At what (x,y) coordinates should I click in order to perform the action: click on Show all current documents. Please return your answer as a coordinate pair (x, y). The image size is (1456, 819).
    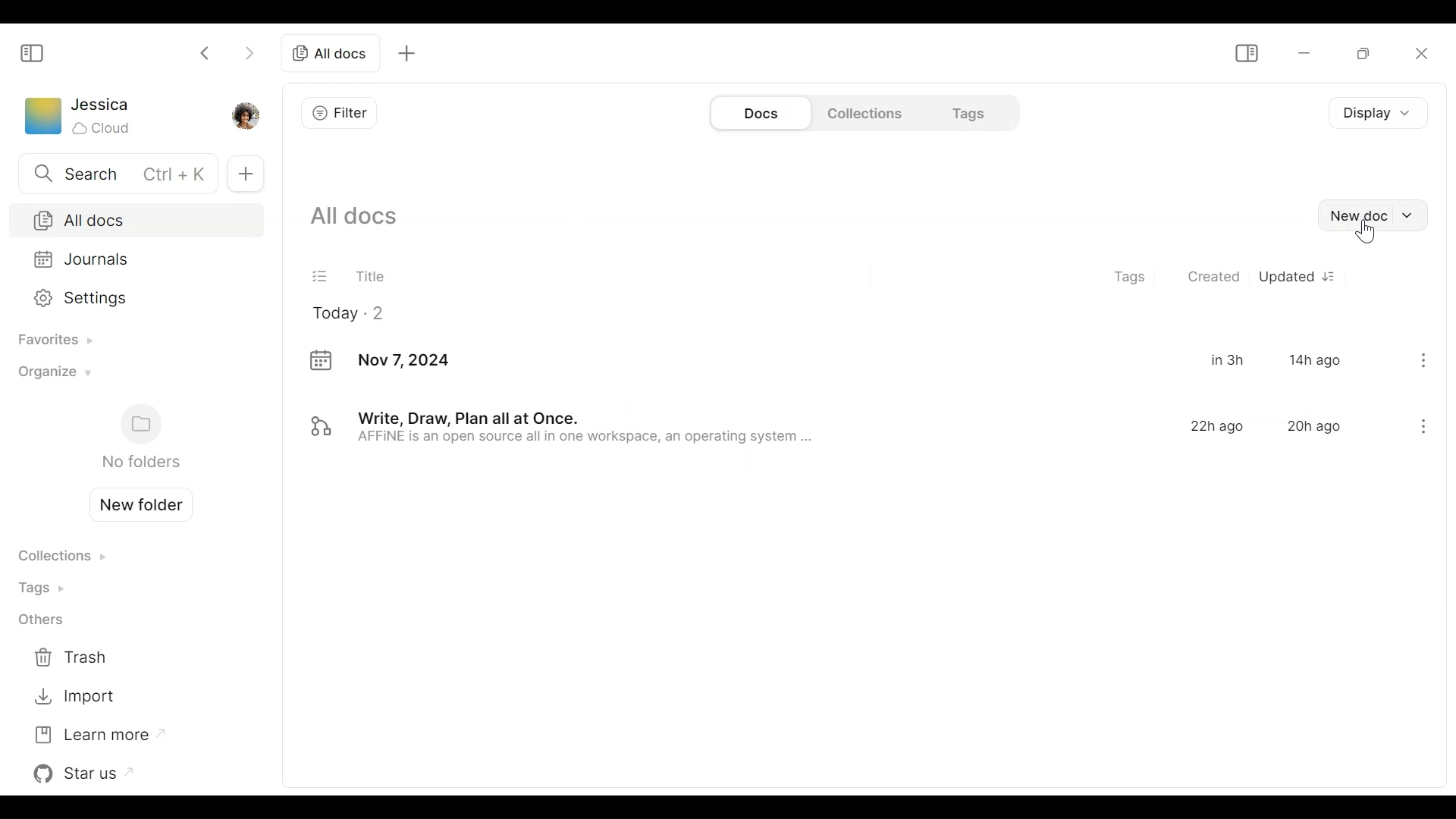
    Looking at the image, I should click on (358, 216).